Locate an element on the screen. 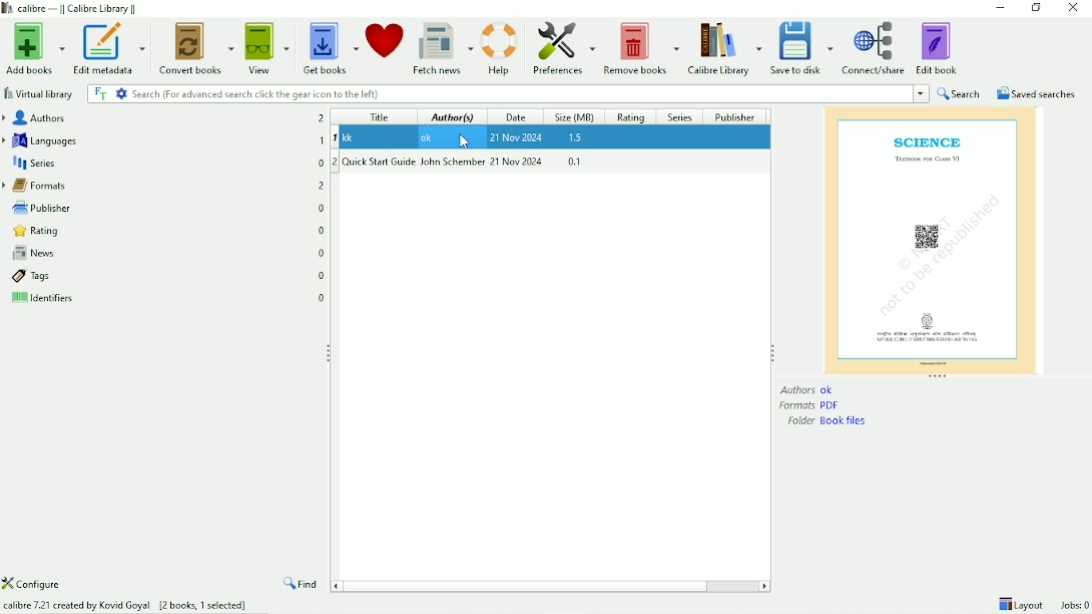 This screenshot has height=614, width=1092. Calibre 7.21 created by Kovid Goyal [2 books, 1 selected] is located at coordinates (127, 605).